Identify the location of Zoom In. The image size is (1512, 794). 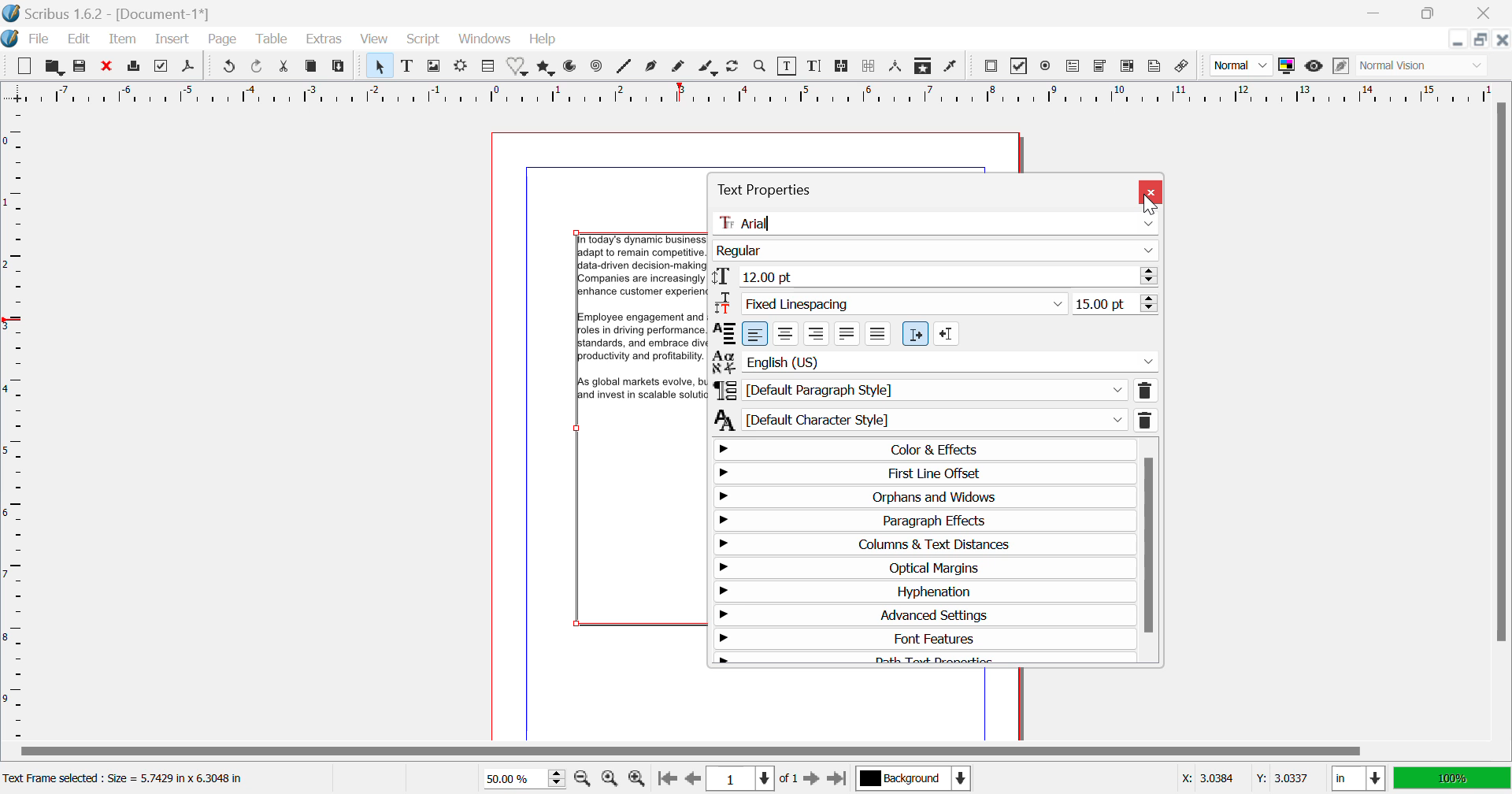
(638, 779).